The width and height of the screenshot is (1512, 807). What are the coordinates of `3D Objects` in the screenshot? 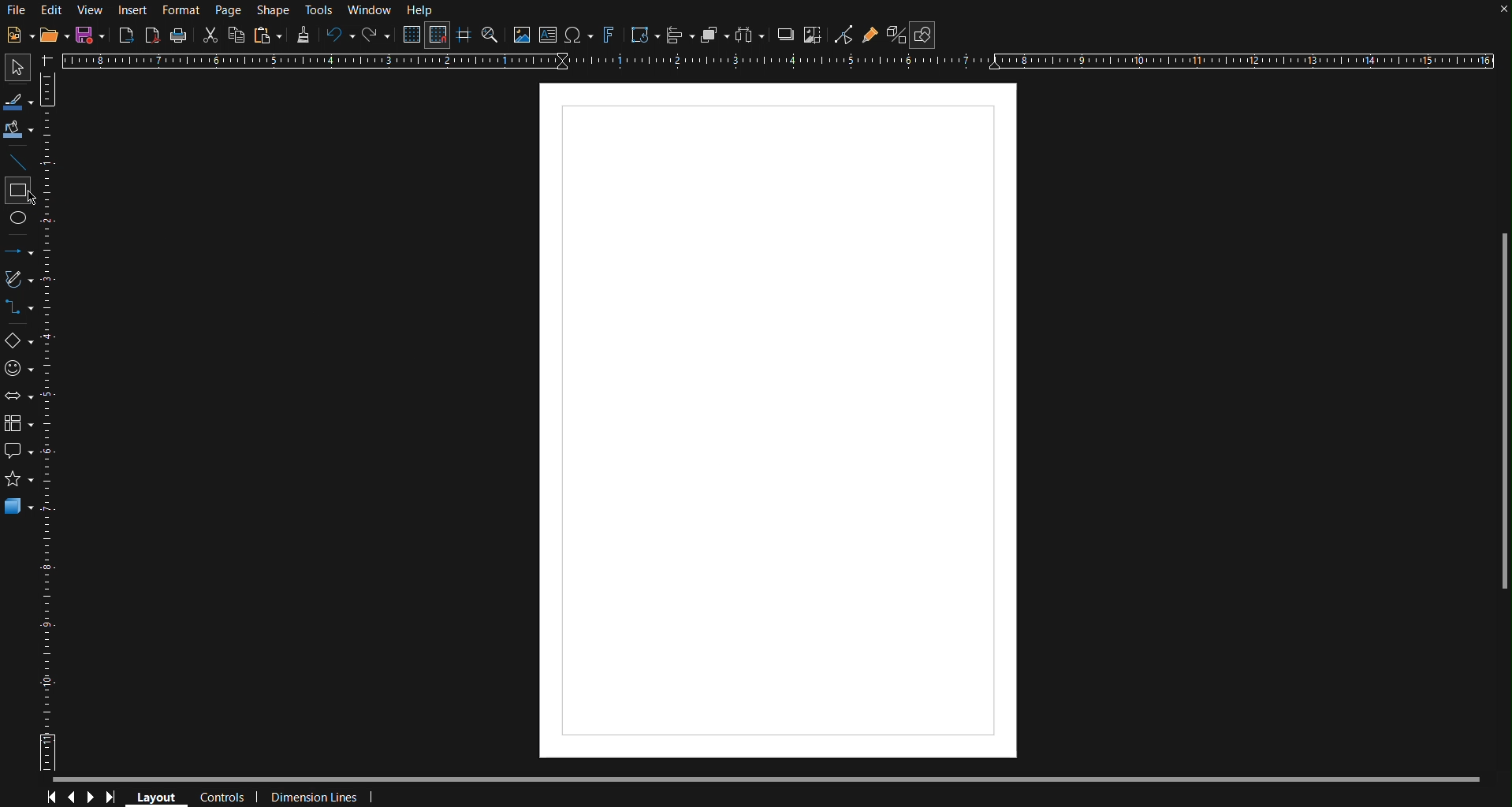 It's located at (19, 506).